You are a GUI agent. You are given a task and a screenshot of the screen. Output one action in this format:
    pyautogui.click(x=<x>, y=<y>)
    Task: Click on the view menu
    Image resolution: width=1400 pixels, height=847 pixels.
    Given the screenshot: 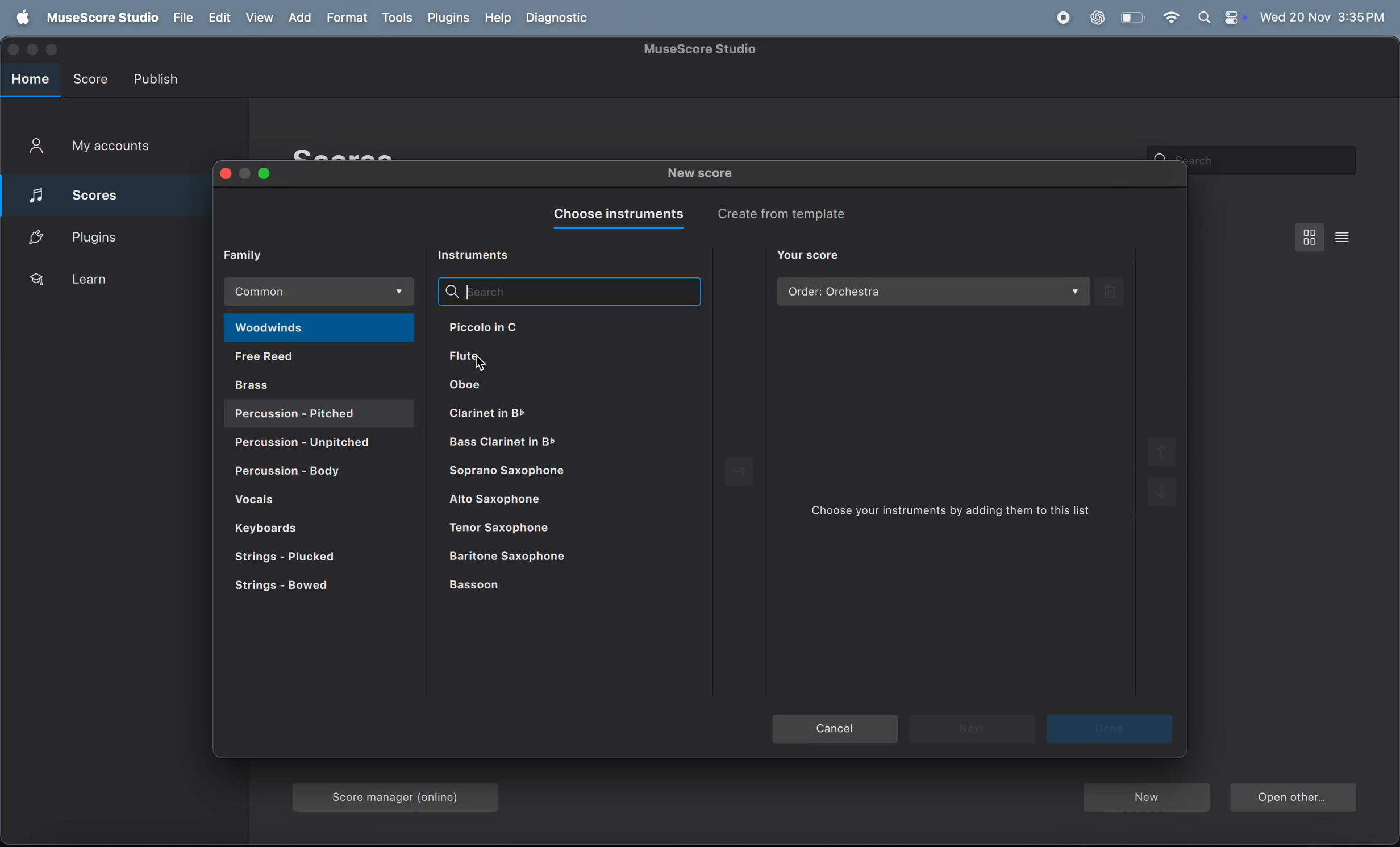 What is the action you would take?
    pyautogui.click(x=1310, y=236)
    